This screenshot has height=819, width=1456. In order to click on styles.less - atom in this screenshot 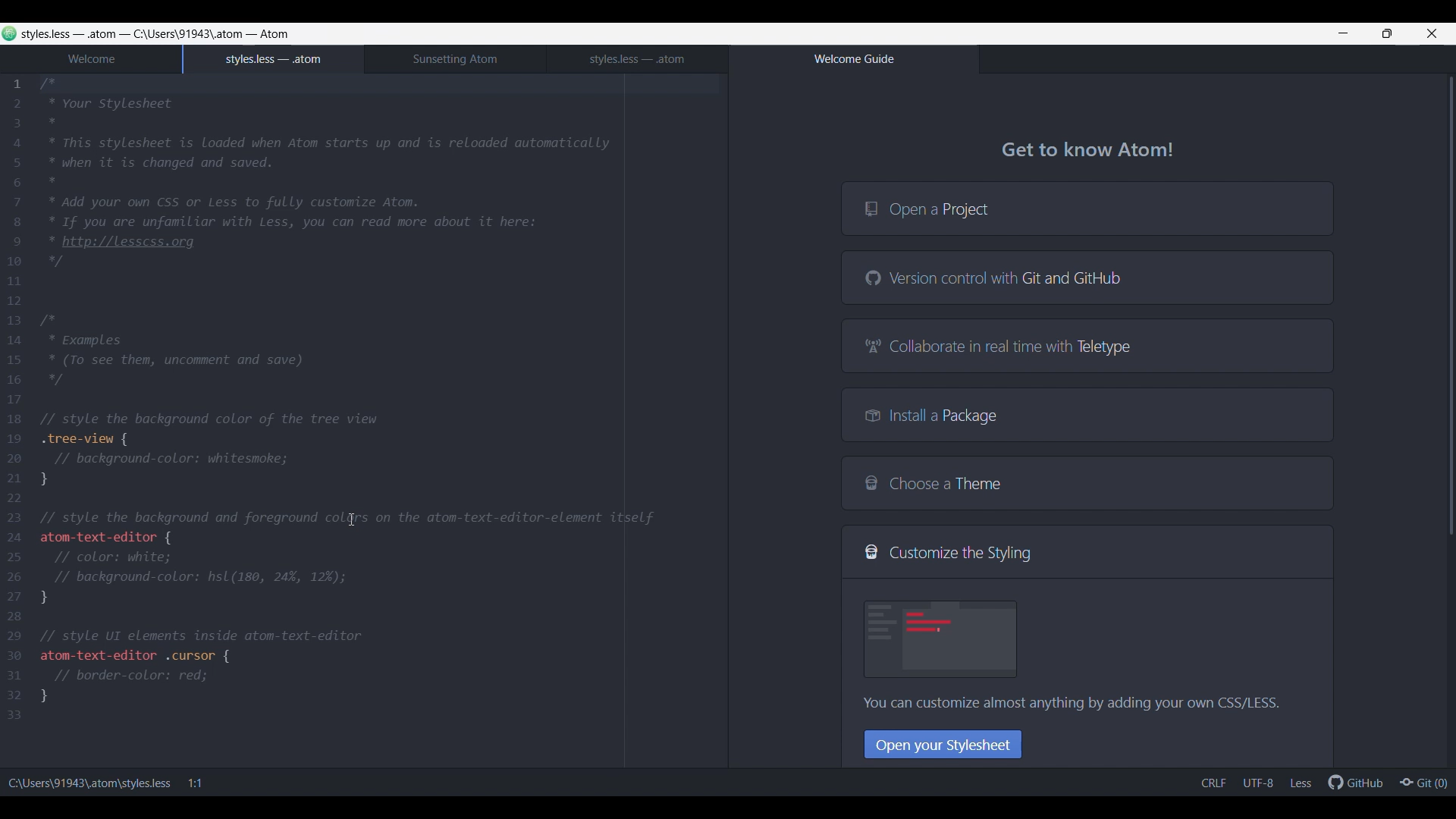, I will do `click(74, 33)`.